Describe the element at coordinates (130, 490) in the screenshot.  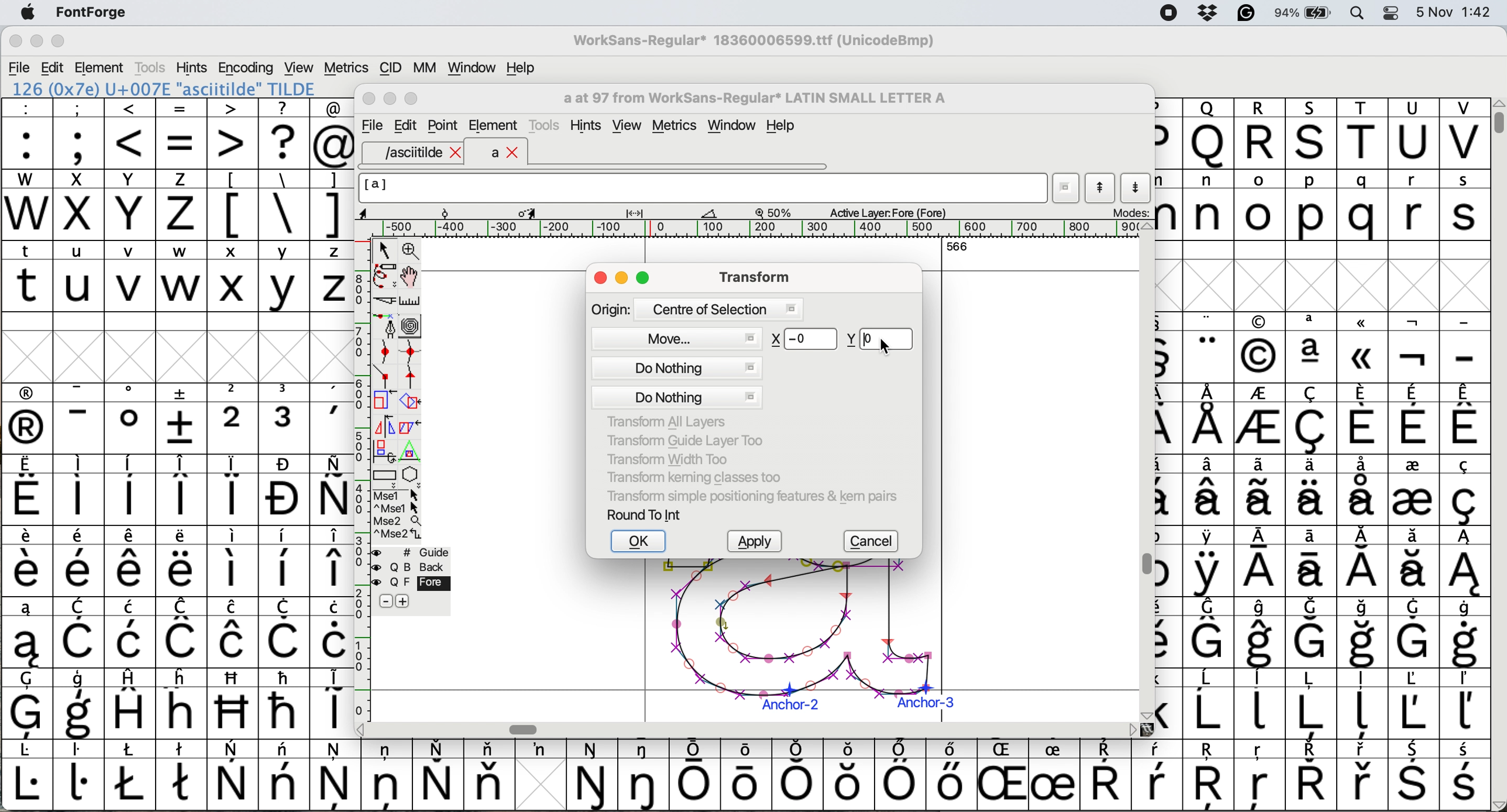
I see `symbol` at that location.